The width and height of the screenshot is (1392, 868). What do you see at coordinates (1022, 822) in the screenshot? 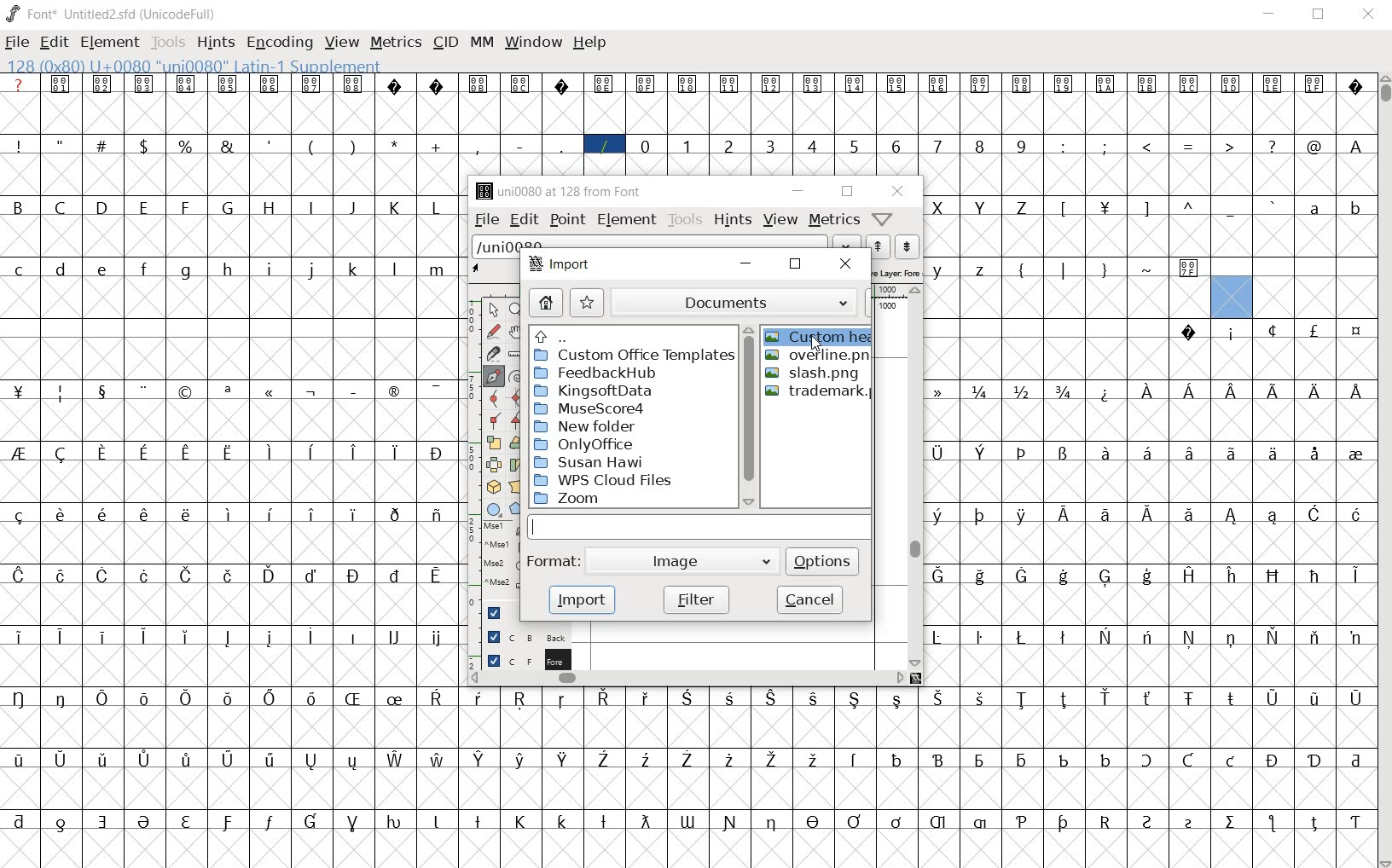
I see `glyph` at bounding box center [1022, 822].